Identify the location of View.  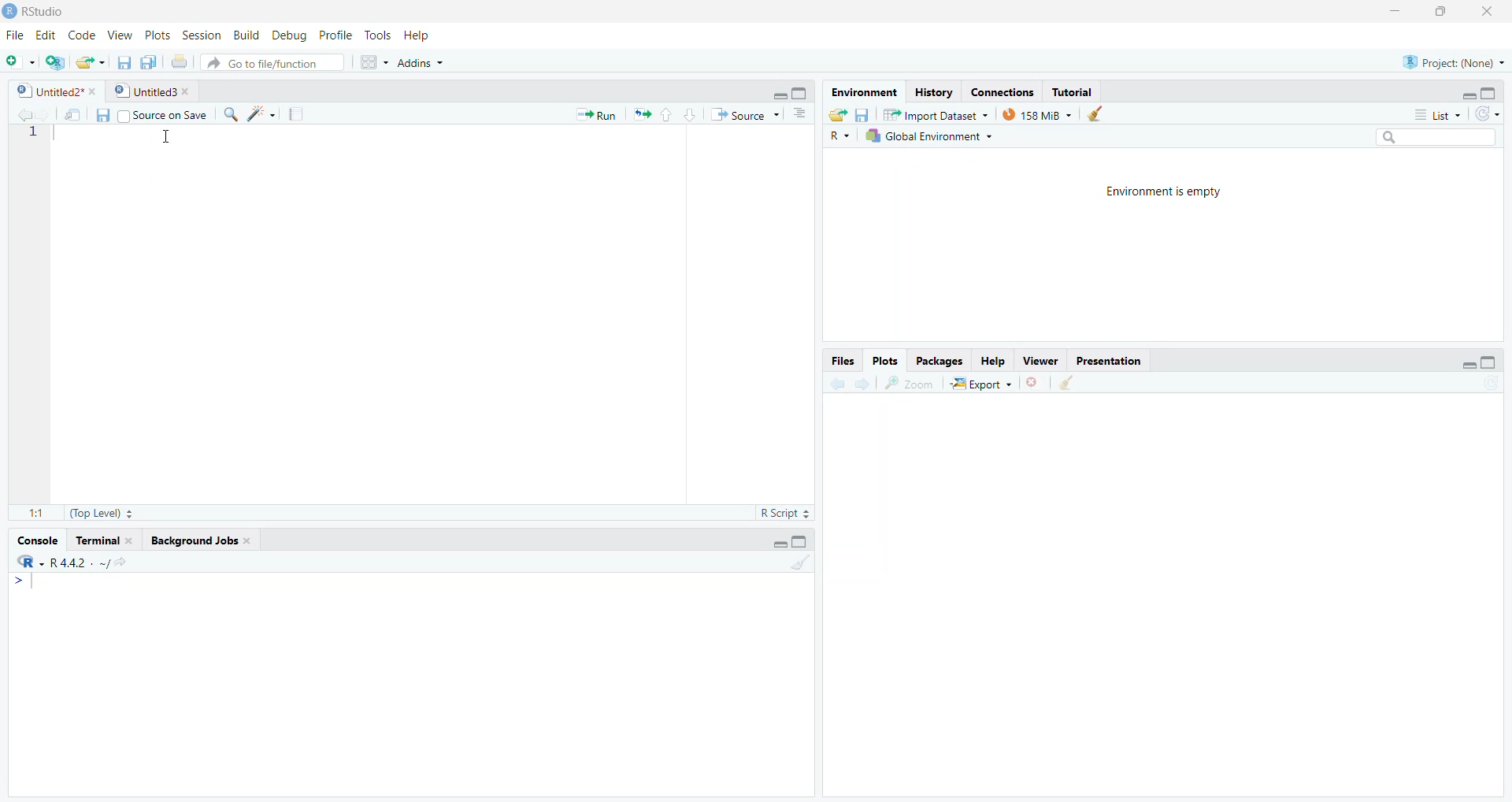
(120, 32).